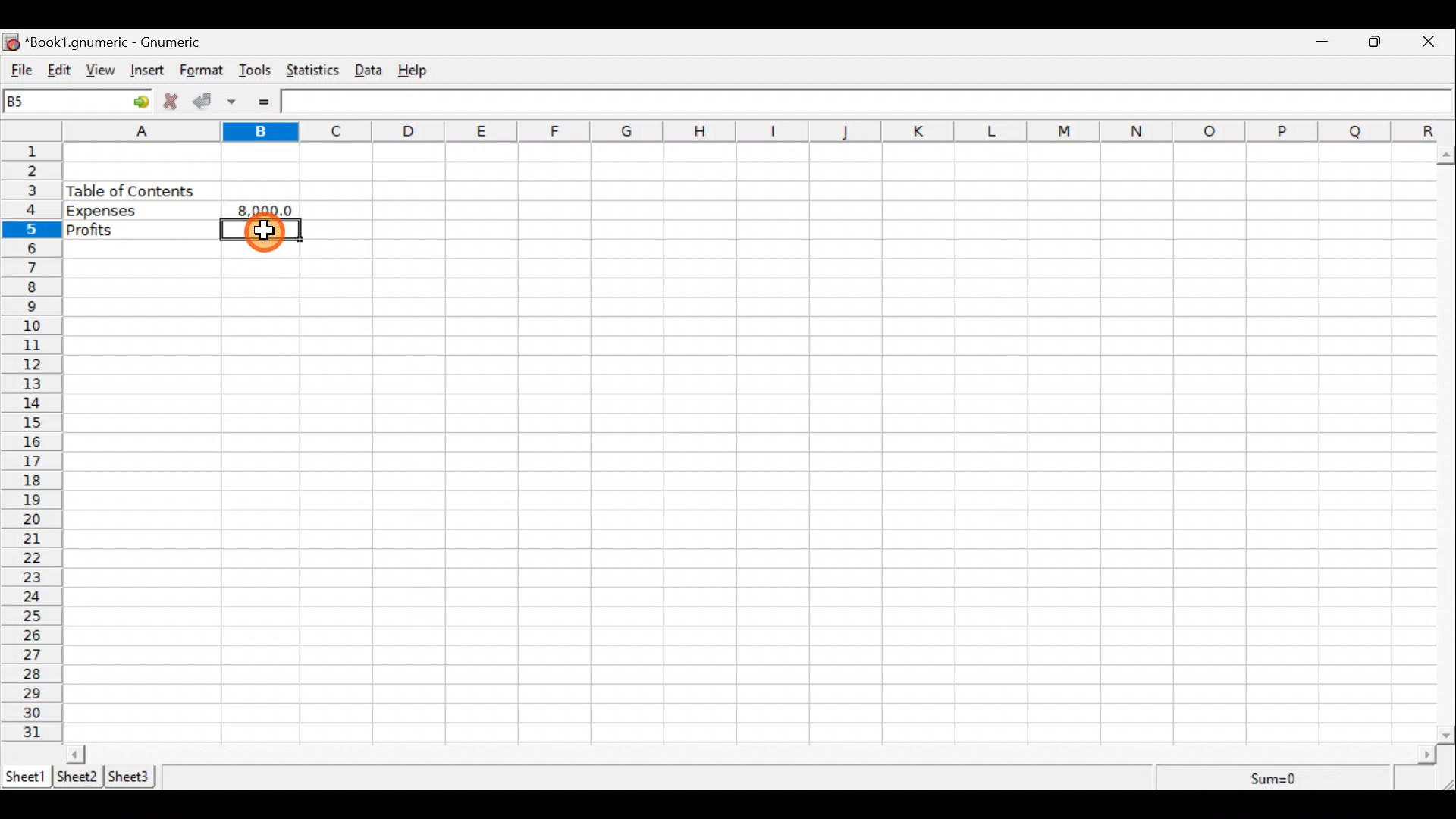  I want to click on Table of content, so click(130, 190).